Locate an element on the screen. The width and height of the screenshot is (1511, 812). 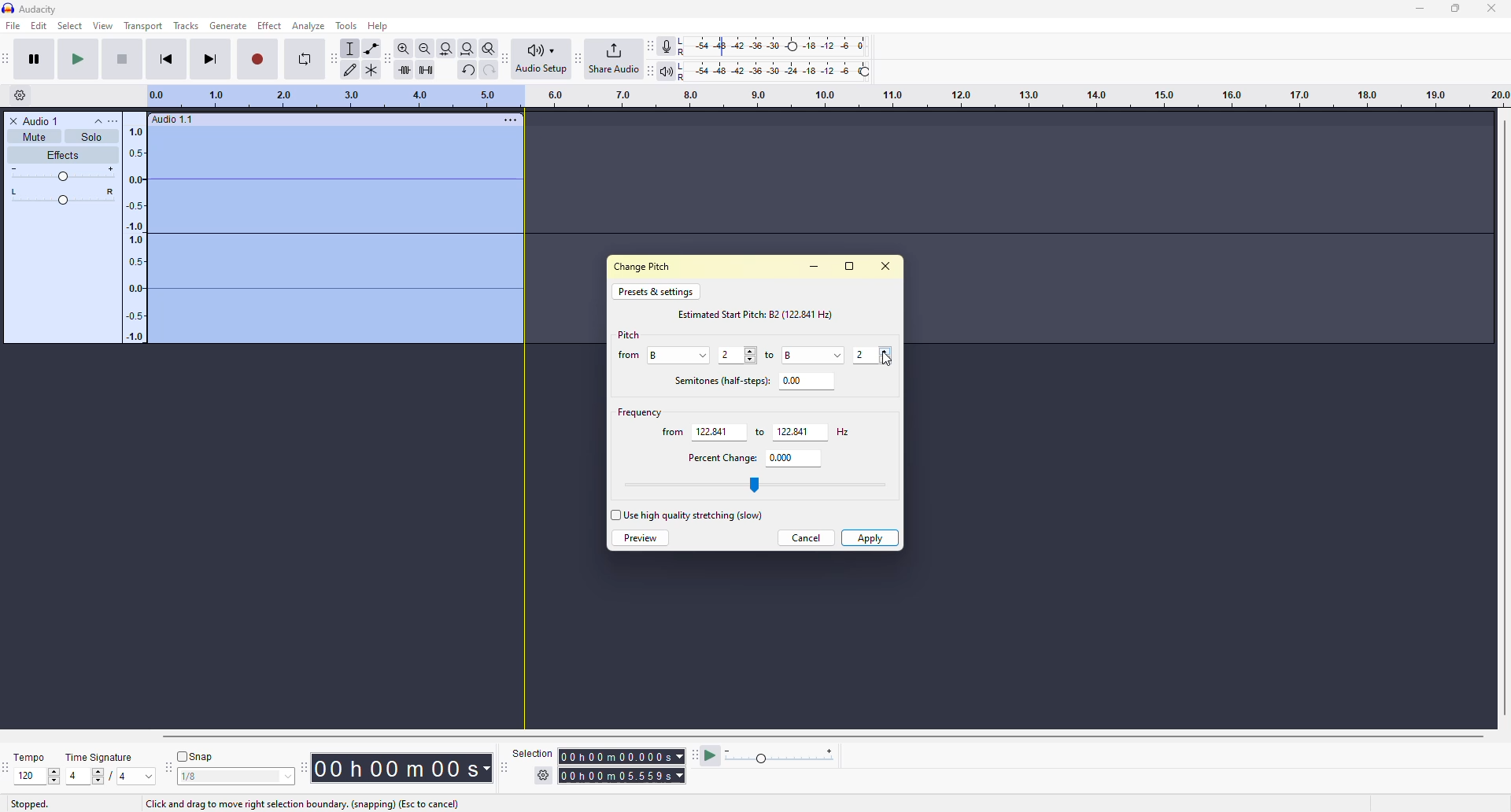
trim audio outside selection is located at coordinates (401, 68).